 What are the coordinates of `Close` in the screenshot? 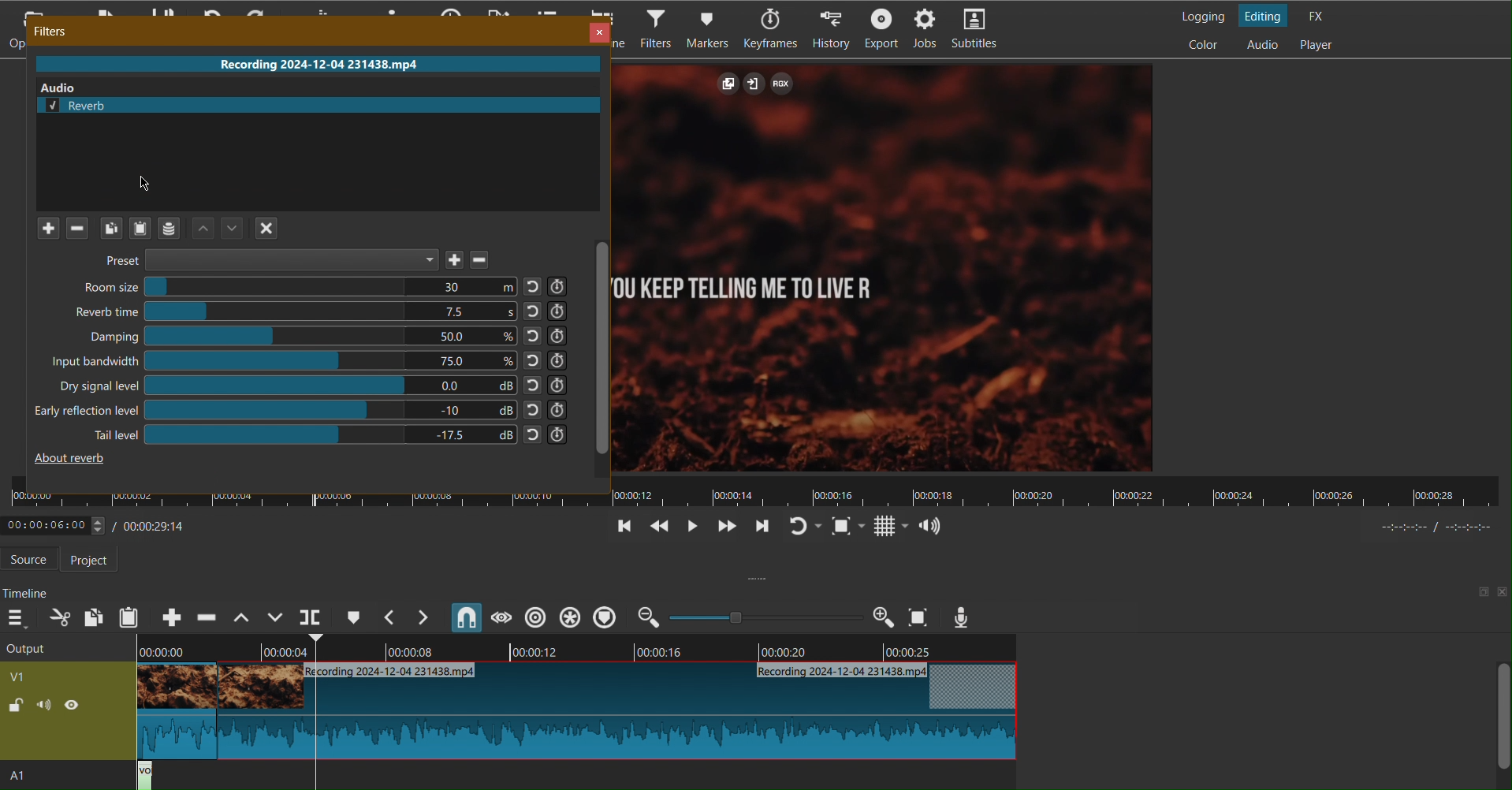 It's located at (596, 30).